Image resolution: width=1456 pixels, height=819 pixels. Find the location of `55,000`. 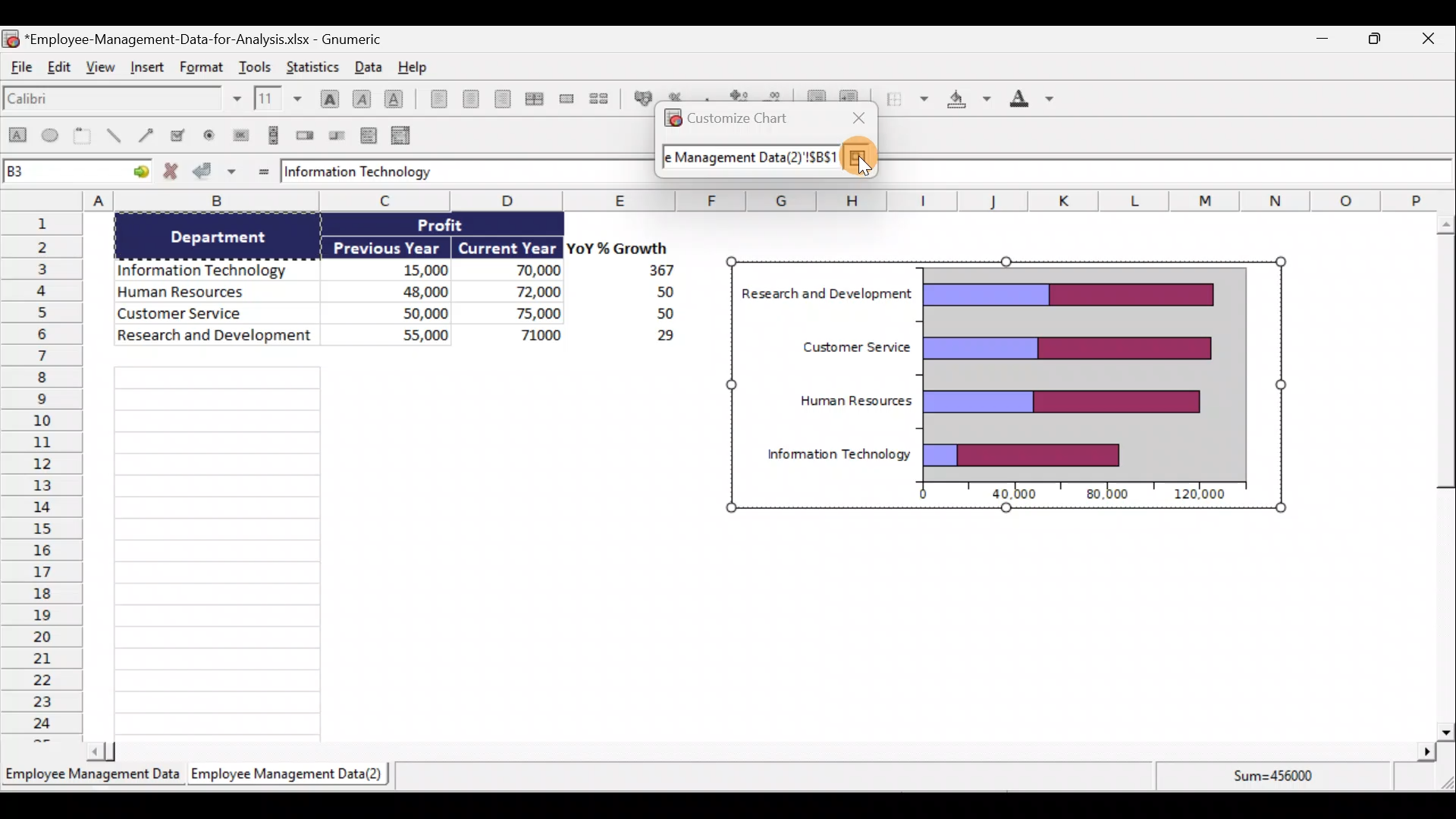

55,000 is located at coordinates (406, 334).